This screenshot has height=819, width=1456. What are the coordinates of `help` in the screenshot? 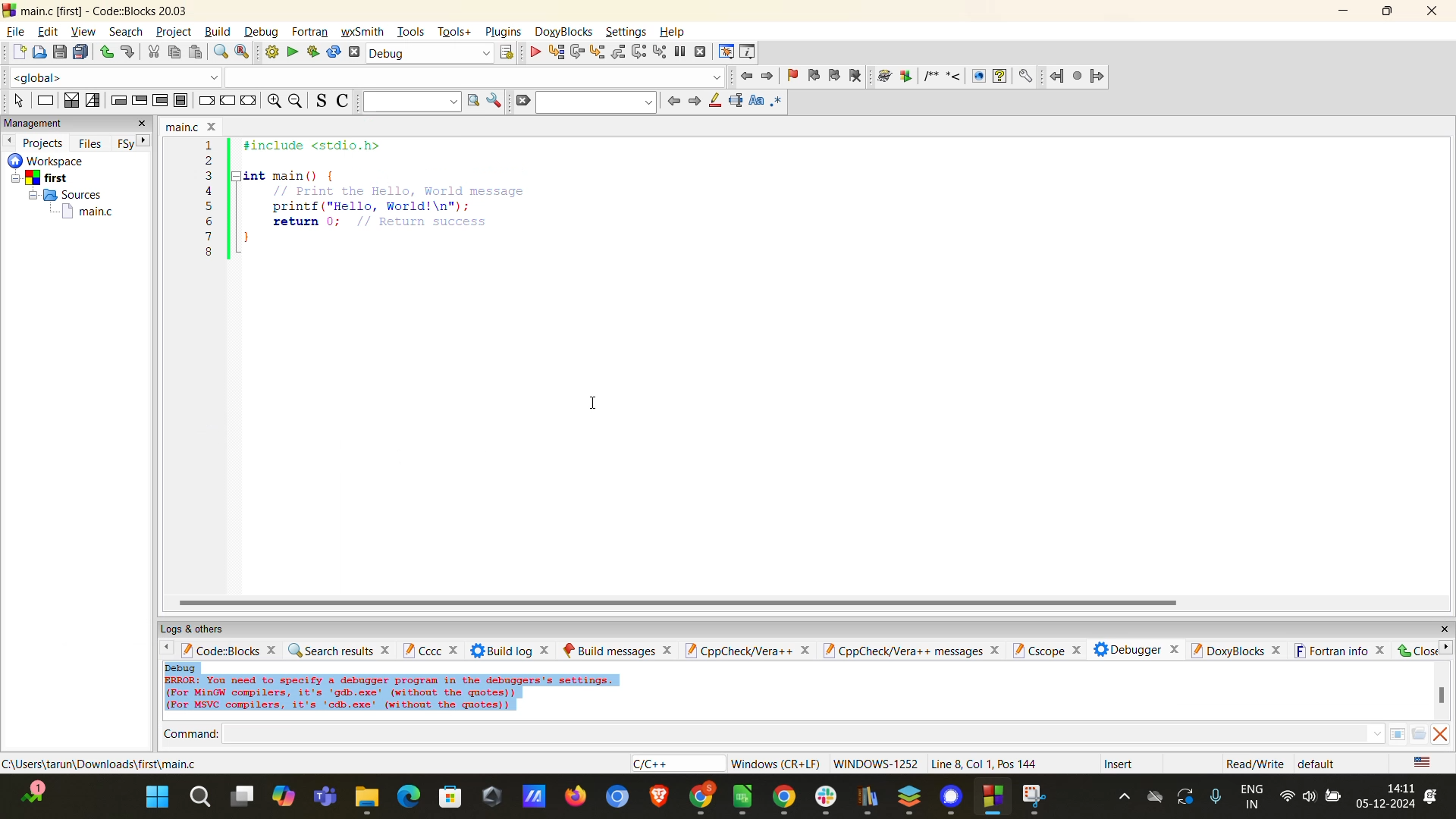 It's located at (676, 28).